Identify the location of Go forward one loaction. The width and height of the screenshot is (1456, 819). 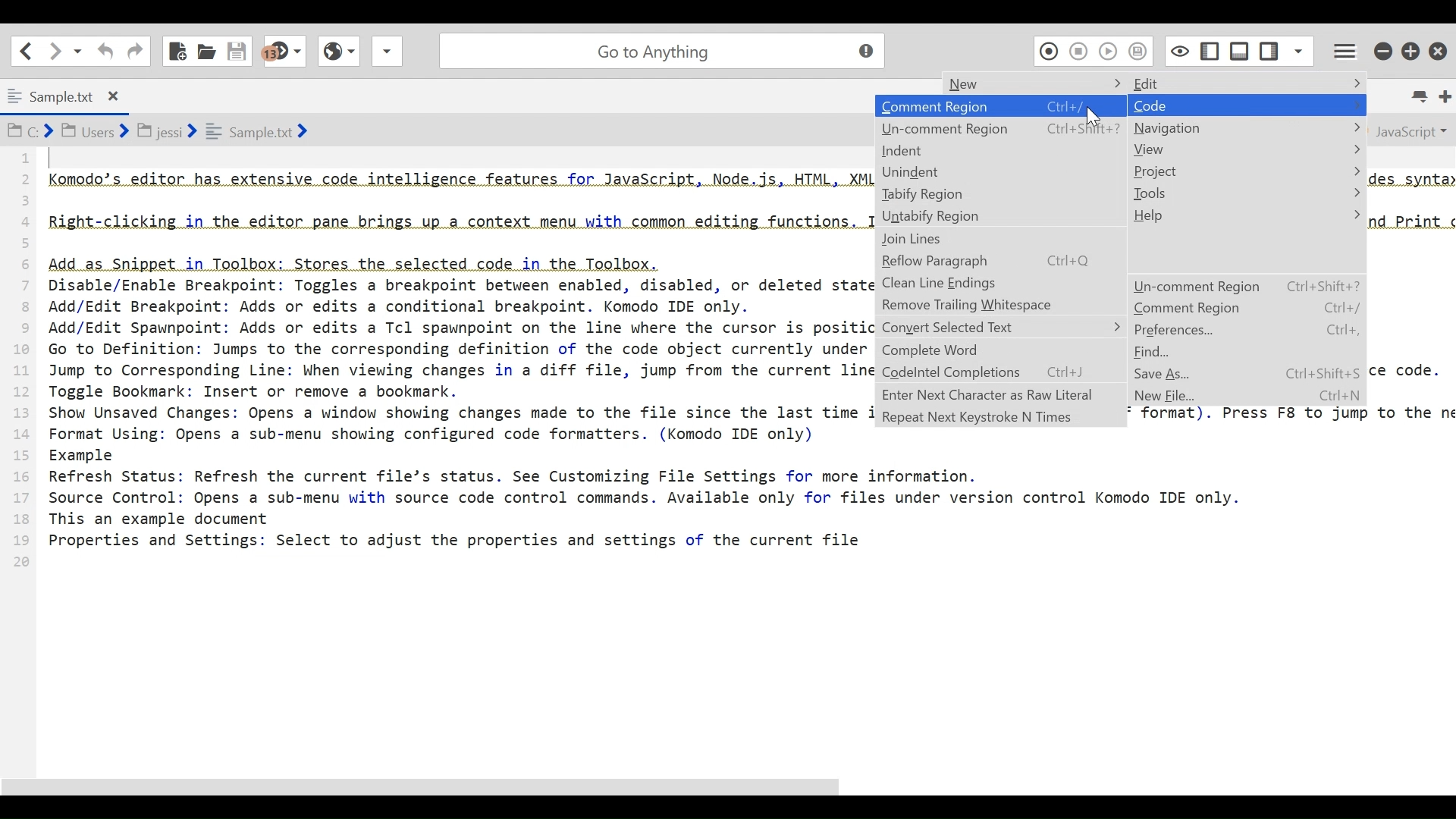
(54, 51).